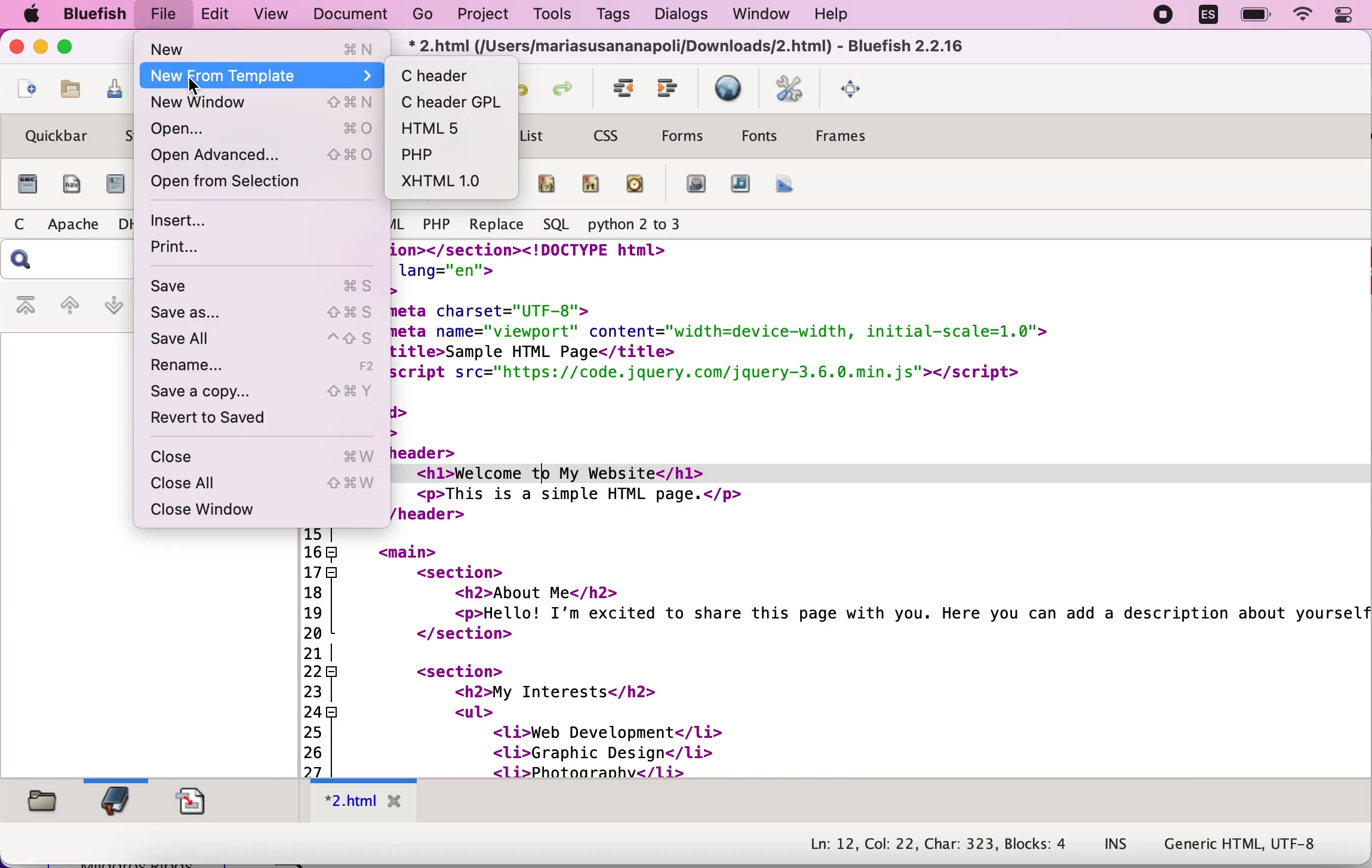  What do you see at coordinates (593, 186) in the screenshot?
I see `ruby text` at bounding box center [593, 186].